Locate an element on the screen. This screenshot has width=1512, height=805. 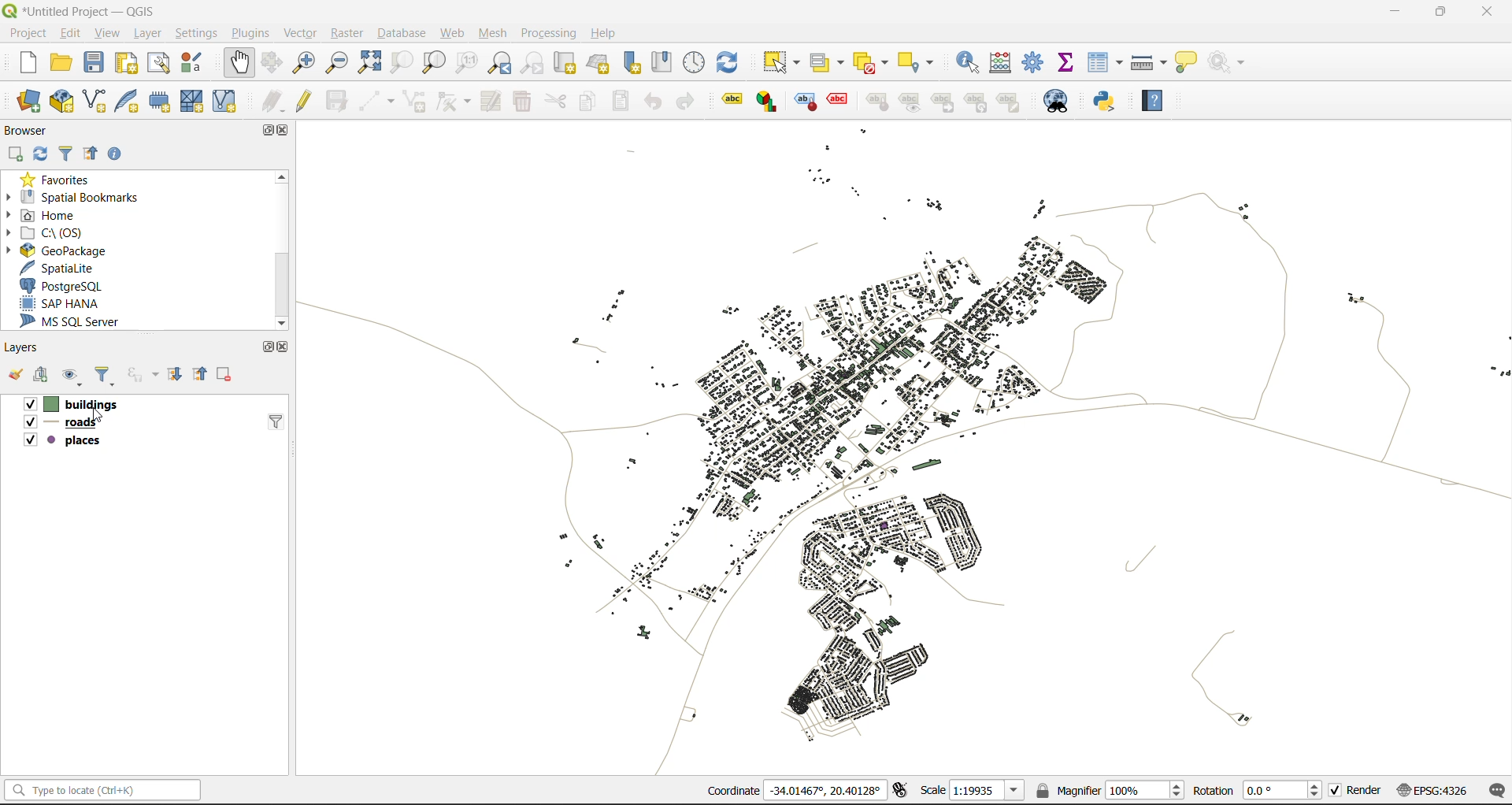
zoom layer is located at coordinates (433, 63).